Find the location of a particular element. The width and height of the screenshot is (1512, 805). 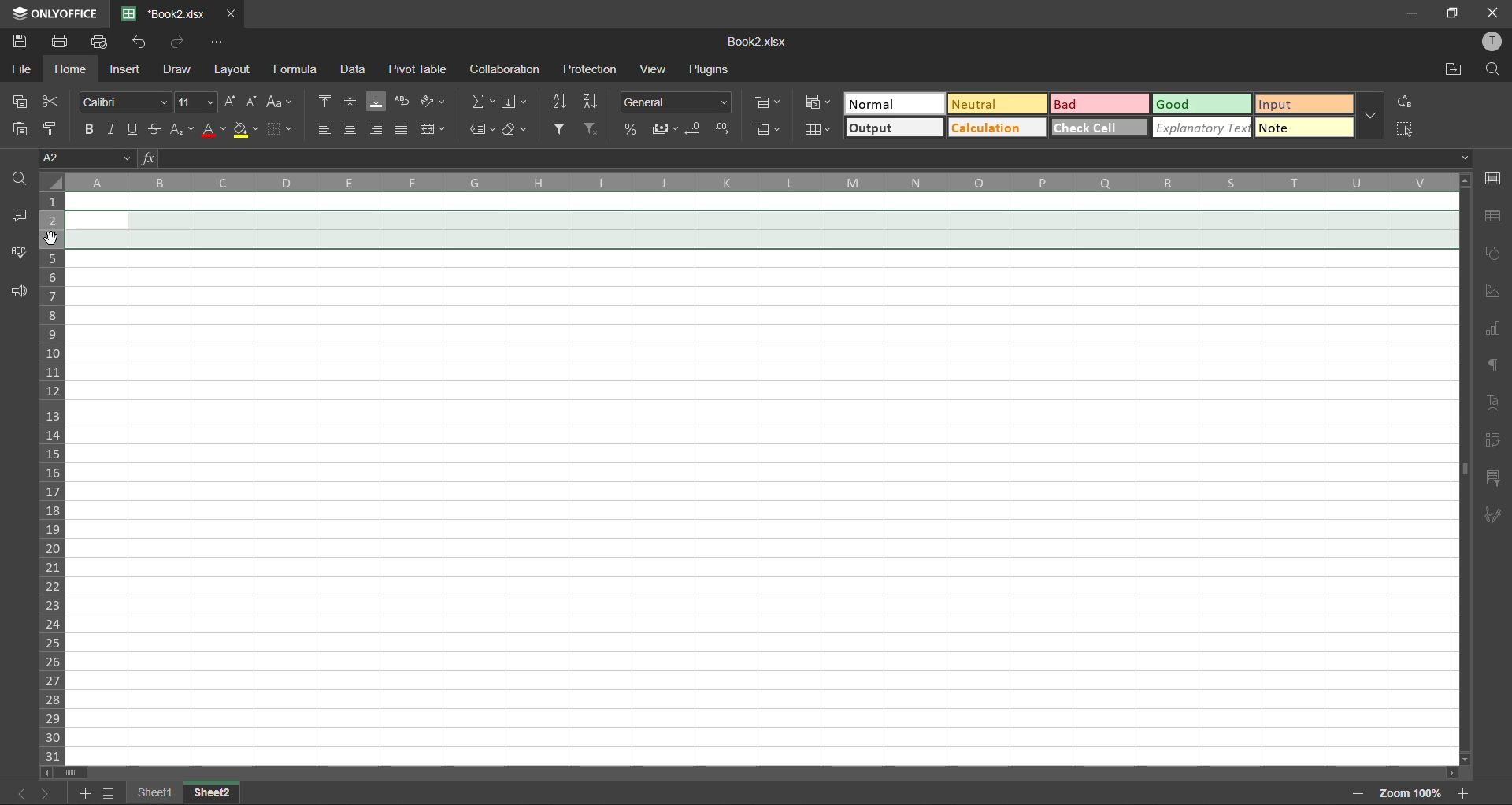

profile is located at coordinates (1493, 42).